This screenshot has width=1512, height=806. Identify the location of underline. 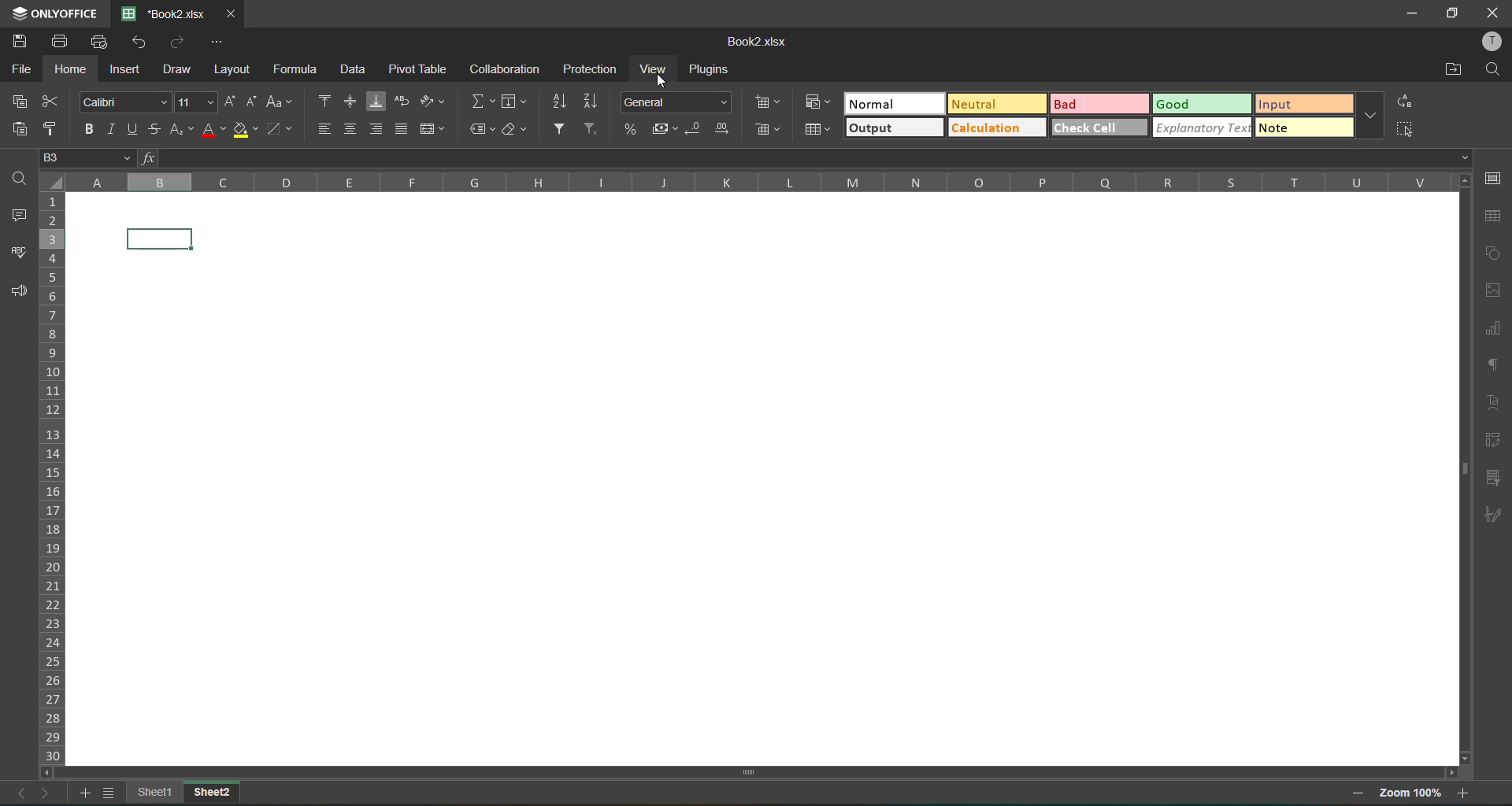
(135, 130).